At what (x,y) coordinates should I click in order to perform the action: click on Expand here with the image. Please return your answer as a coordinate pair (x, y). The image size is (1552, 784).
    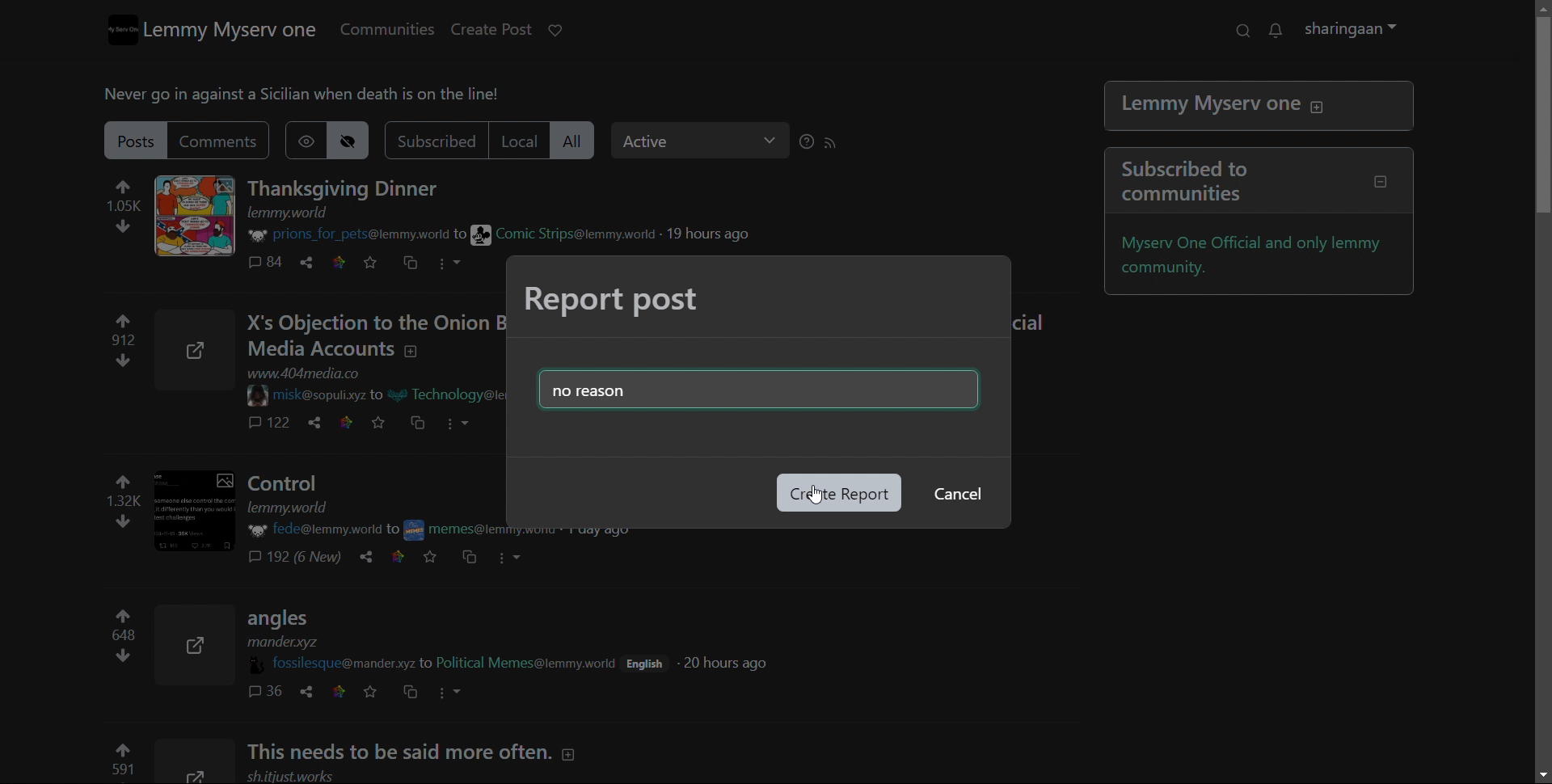
    Looking at the image, I should click on (201, 351).